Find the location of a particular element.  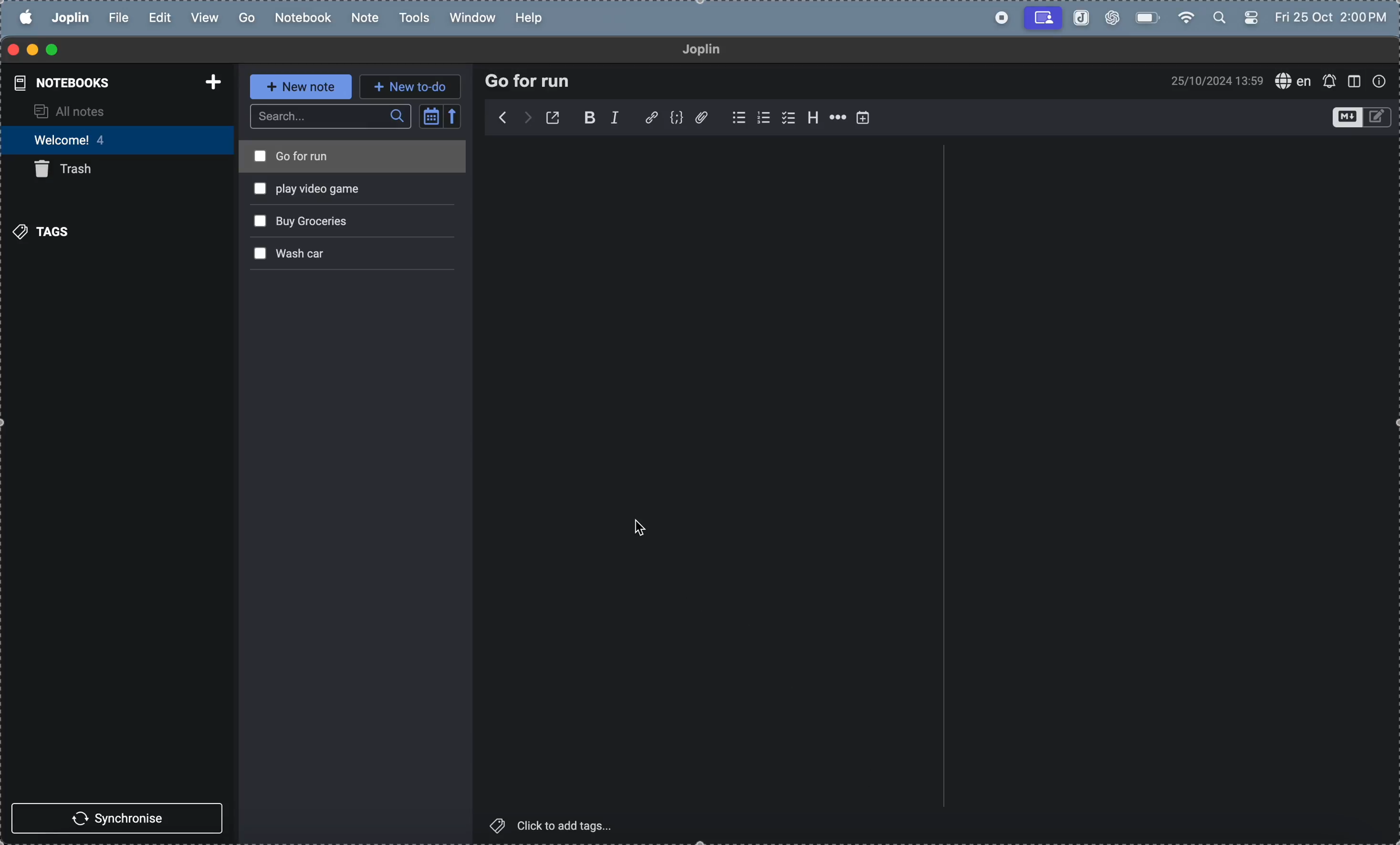

bold  is located at coordinates (590, 118).